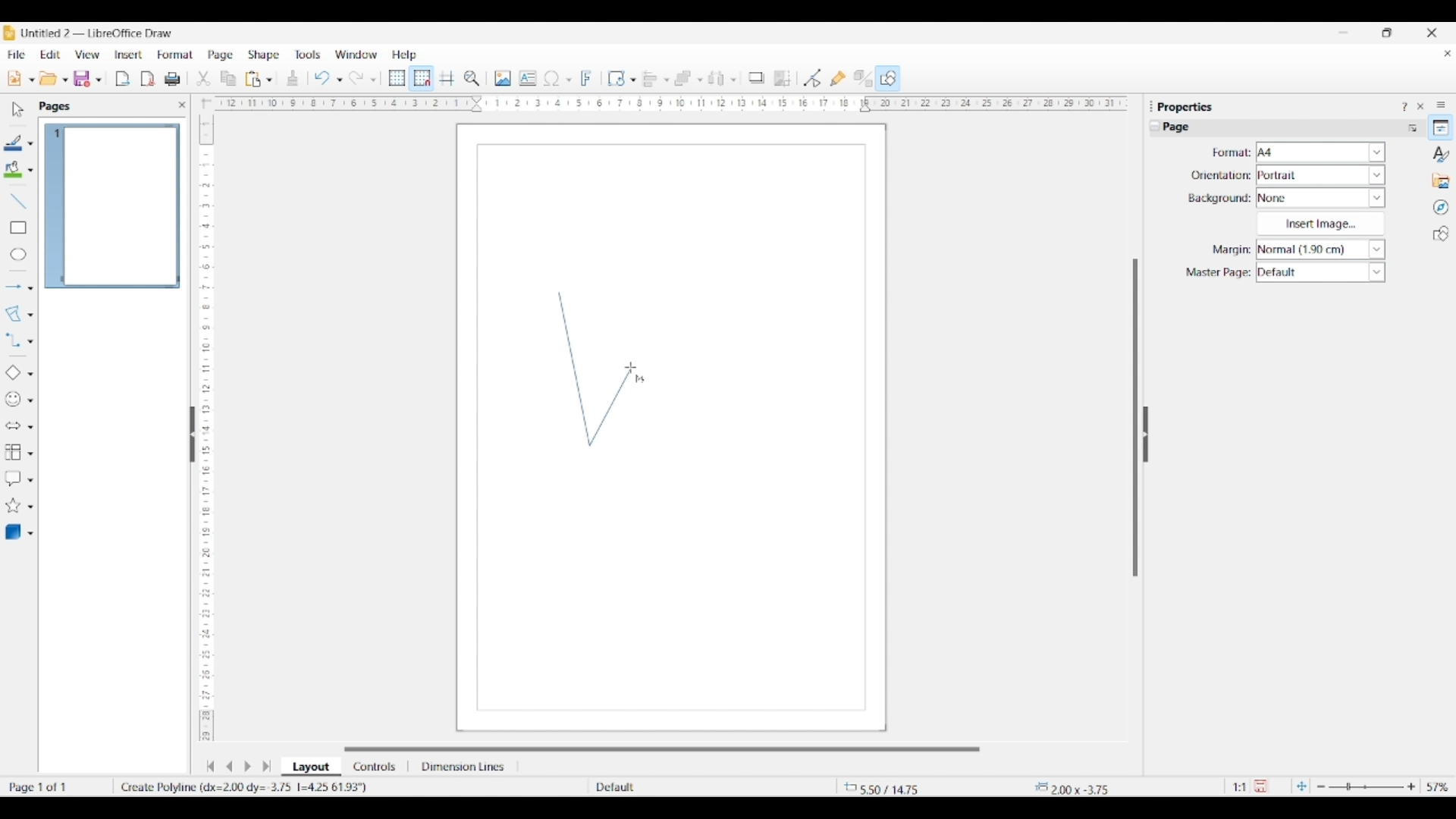 This screenshot has height=819, width=1456. Describe the element at coordinates (1321, 152) in the screenshot. I see `Format options` at that location.